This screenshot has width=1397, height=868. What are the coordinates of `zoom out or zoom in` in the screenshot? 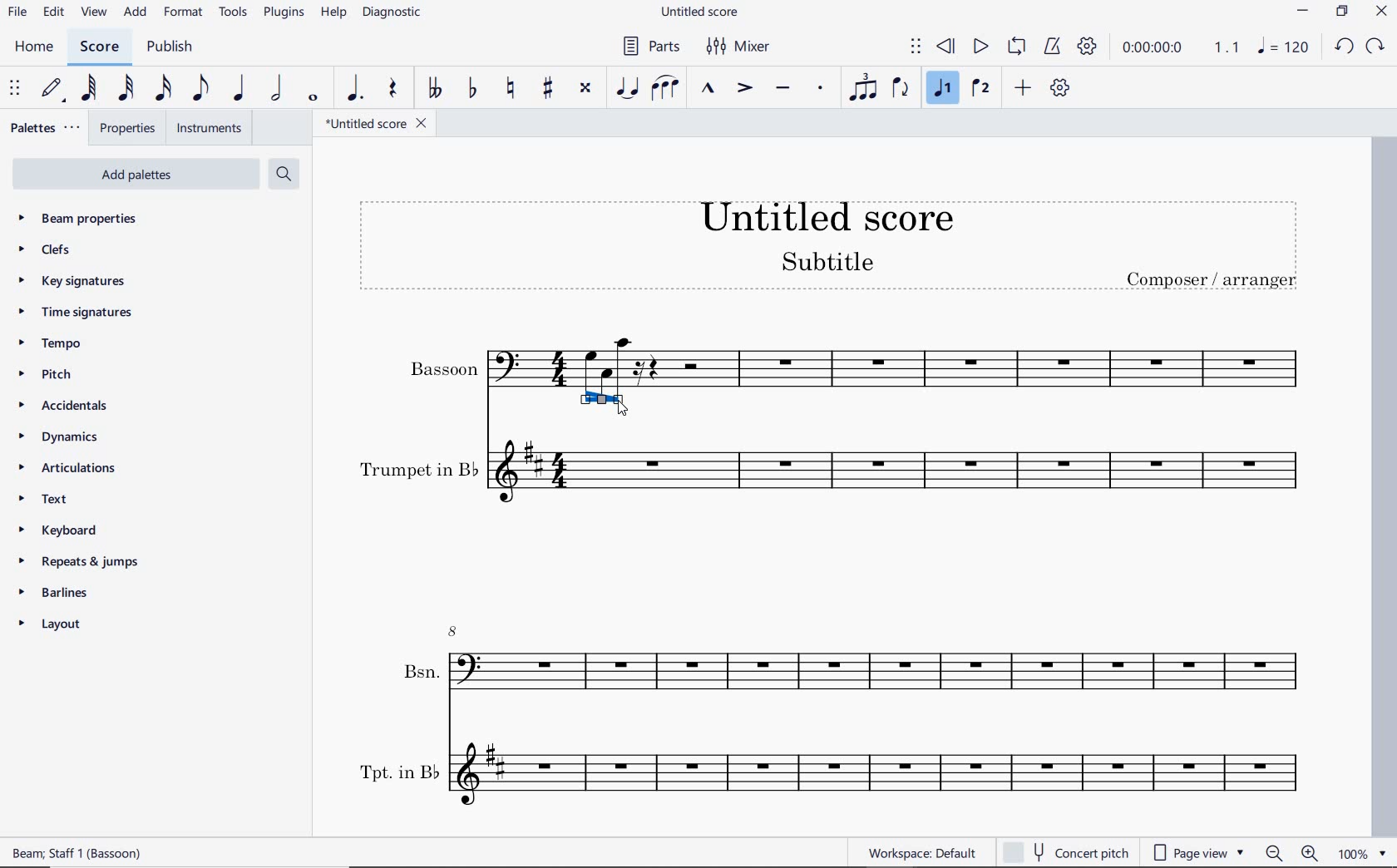 It's located at (1292, 851).